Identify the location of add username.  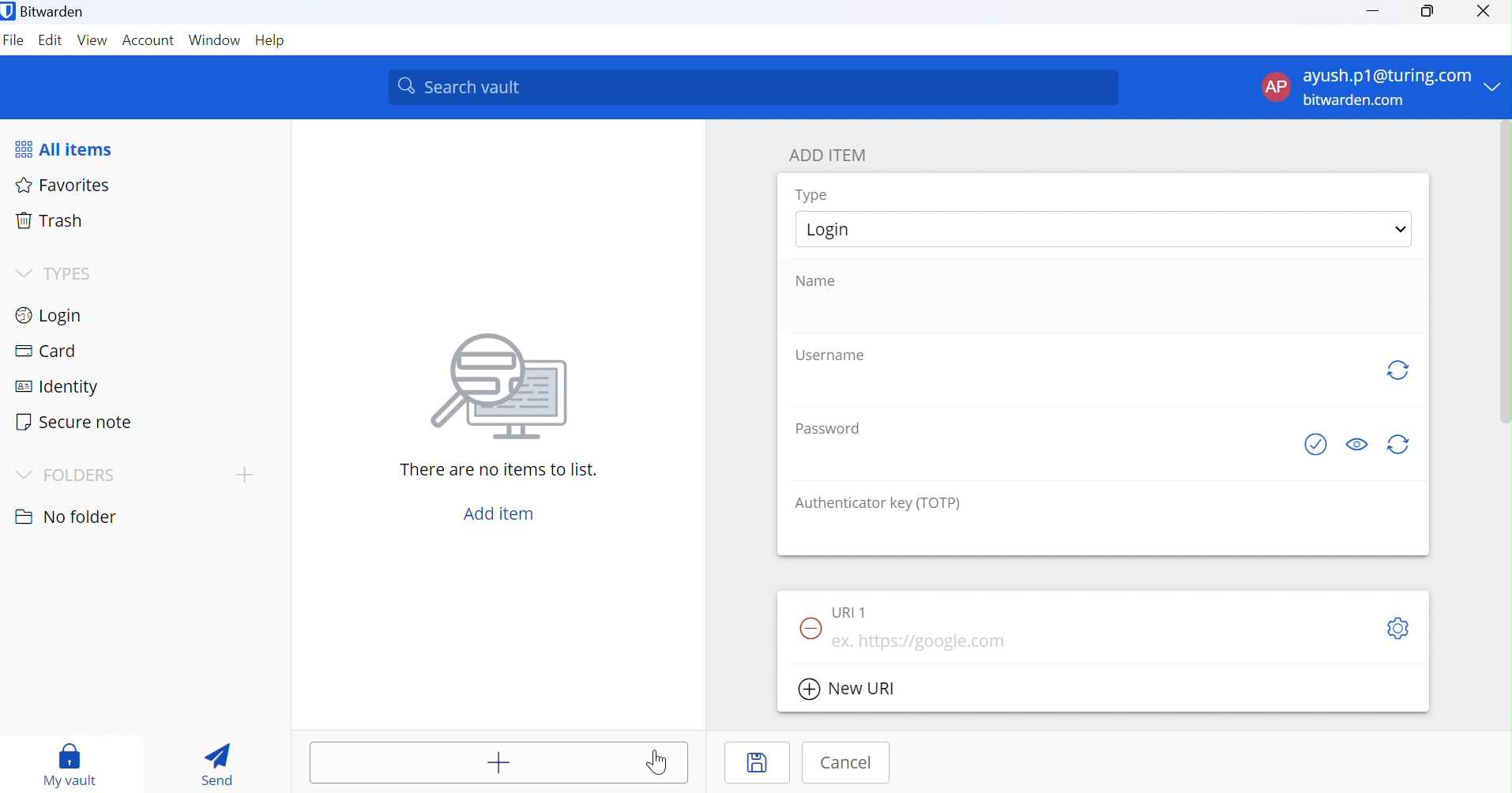
(1081, 385).